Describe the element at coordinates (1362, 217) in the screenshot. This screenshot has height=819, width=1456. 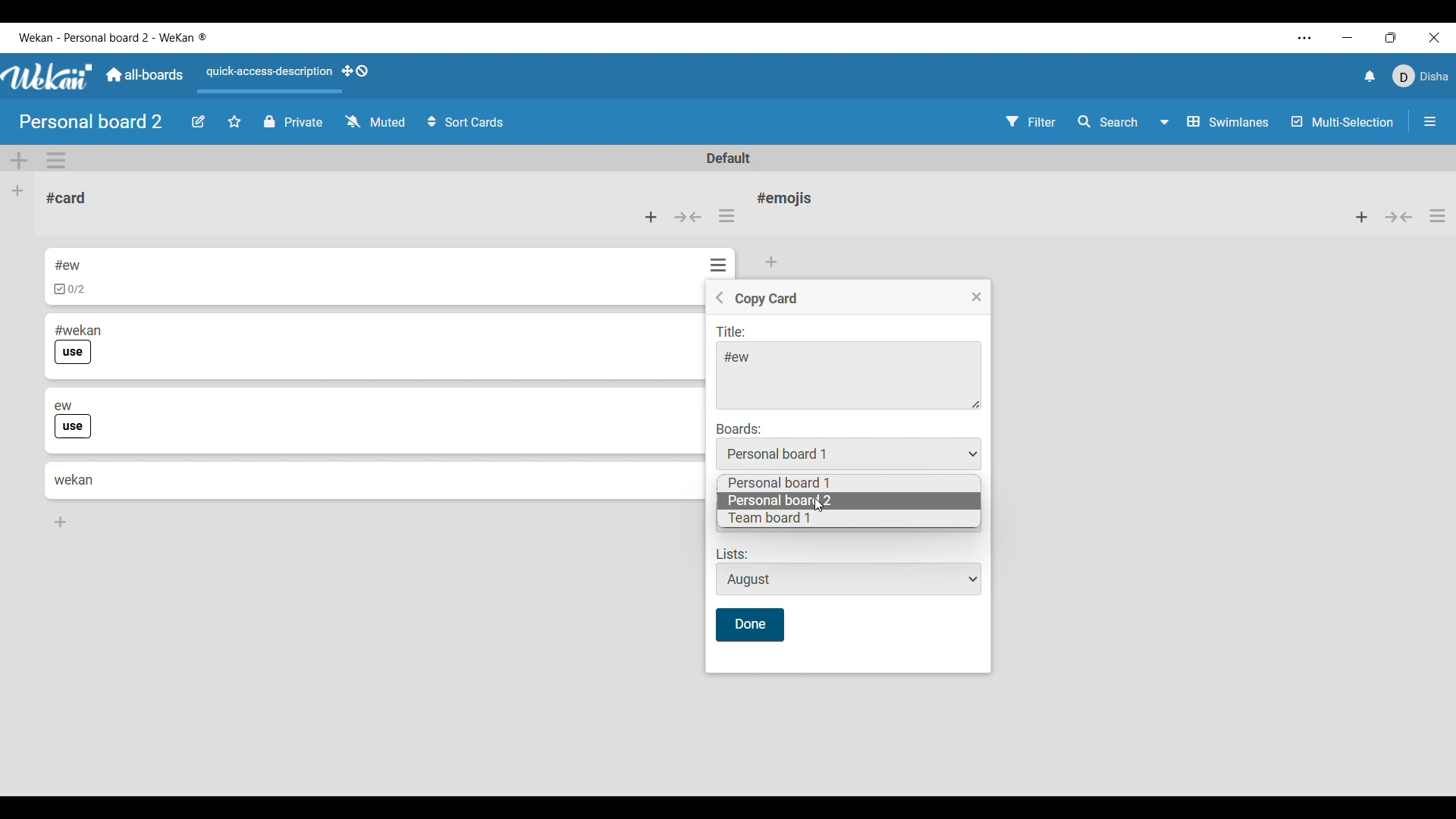
I see `Add item to top of list` at that location.